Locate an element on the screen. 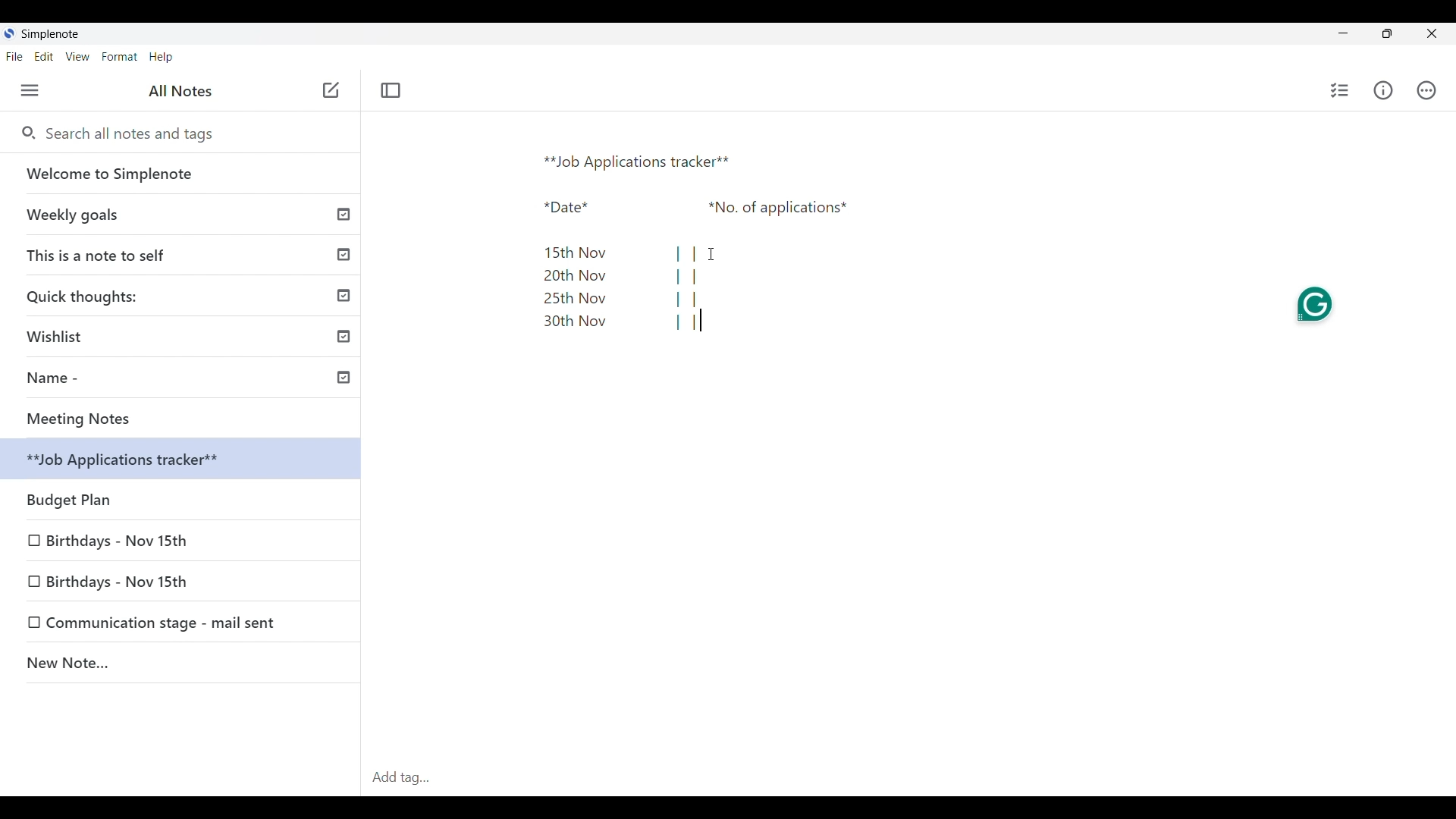  Weekly goals is located at coordinates (180, 214).